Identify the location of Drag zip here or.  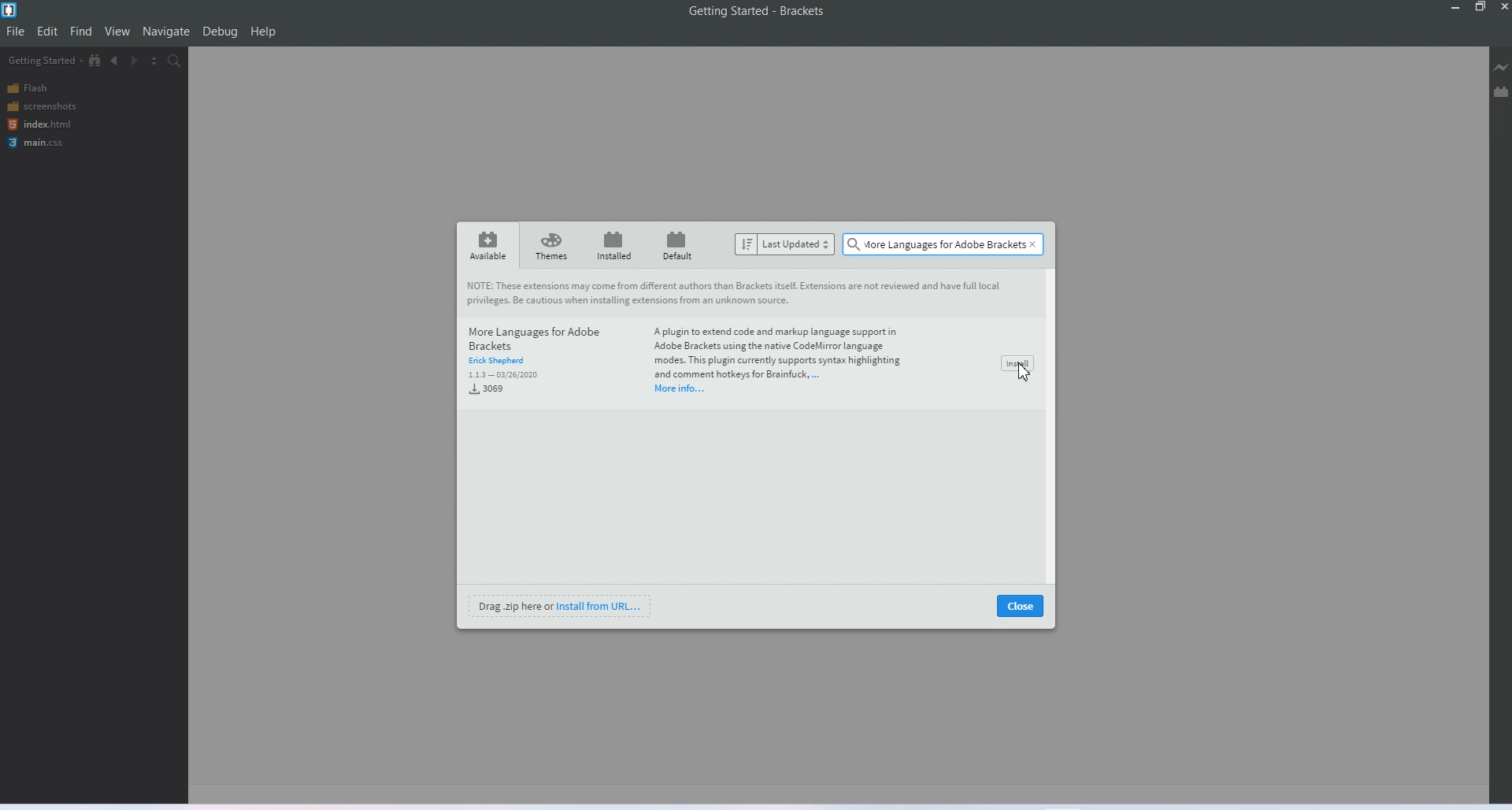
(513, 605).